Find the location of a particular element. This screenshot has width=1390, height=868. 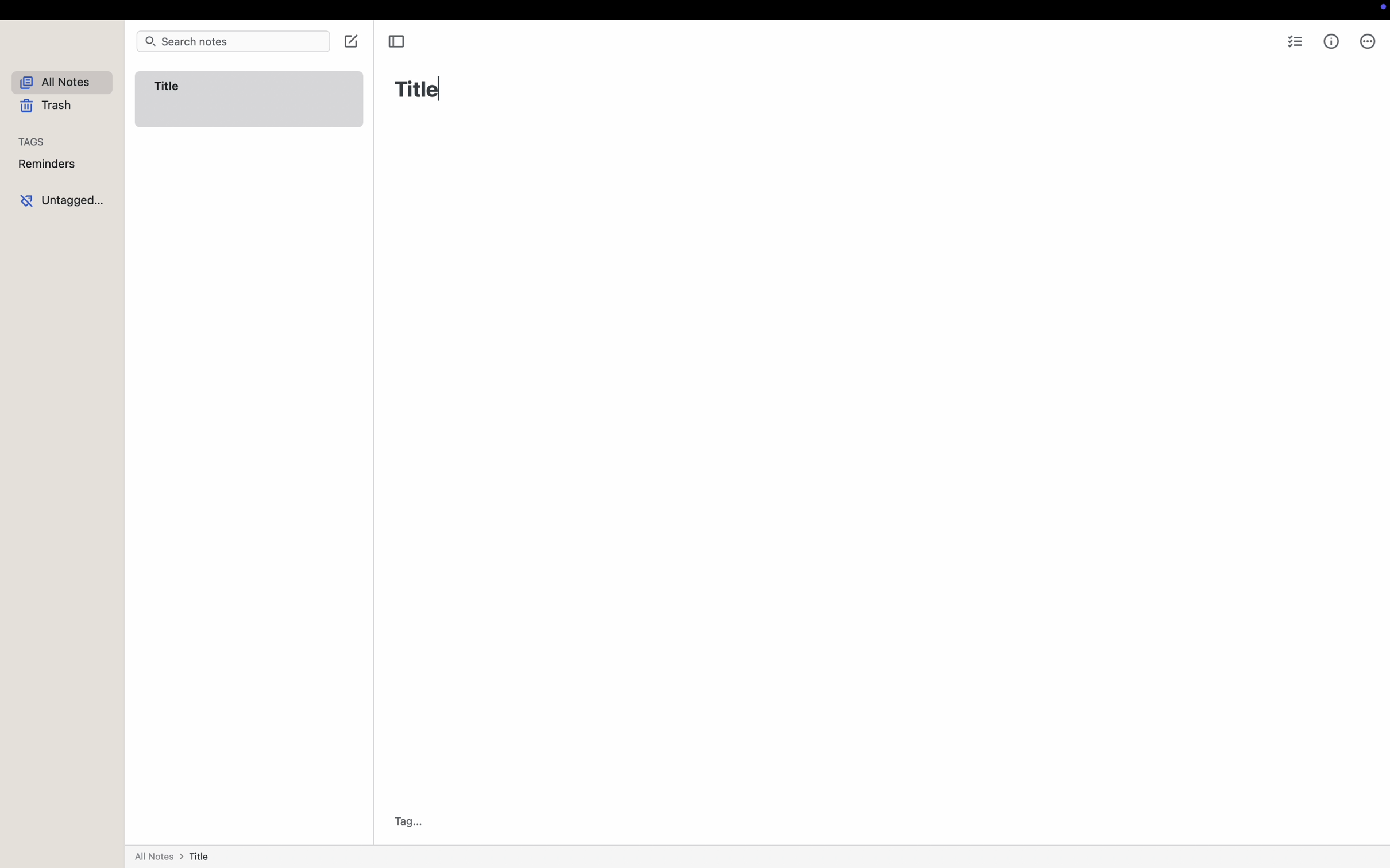

Title is located at coordinates (249, 99).